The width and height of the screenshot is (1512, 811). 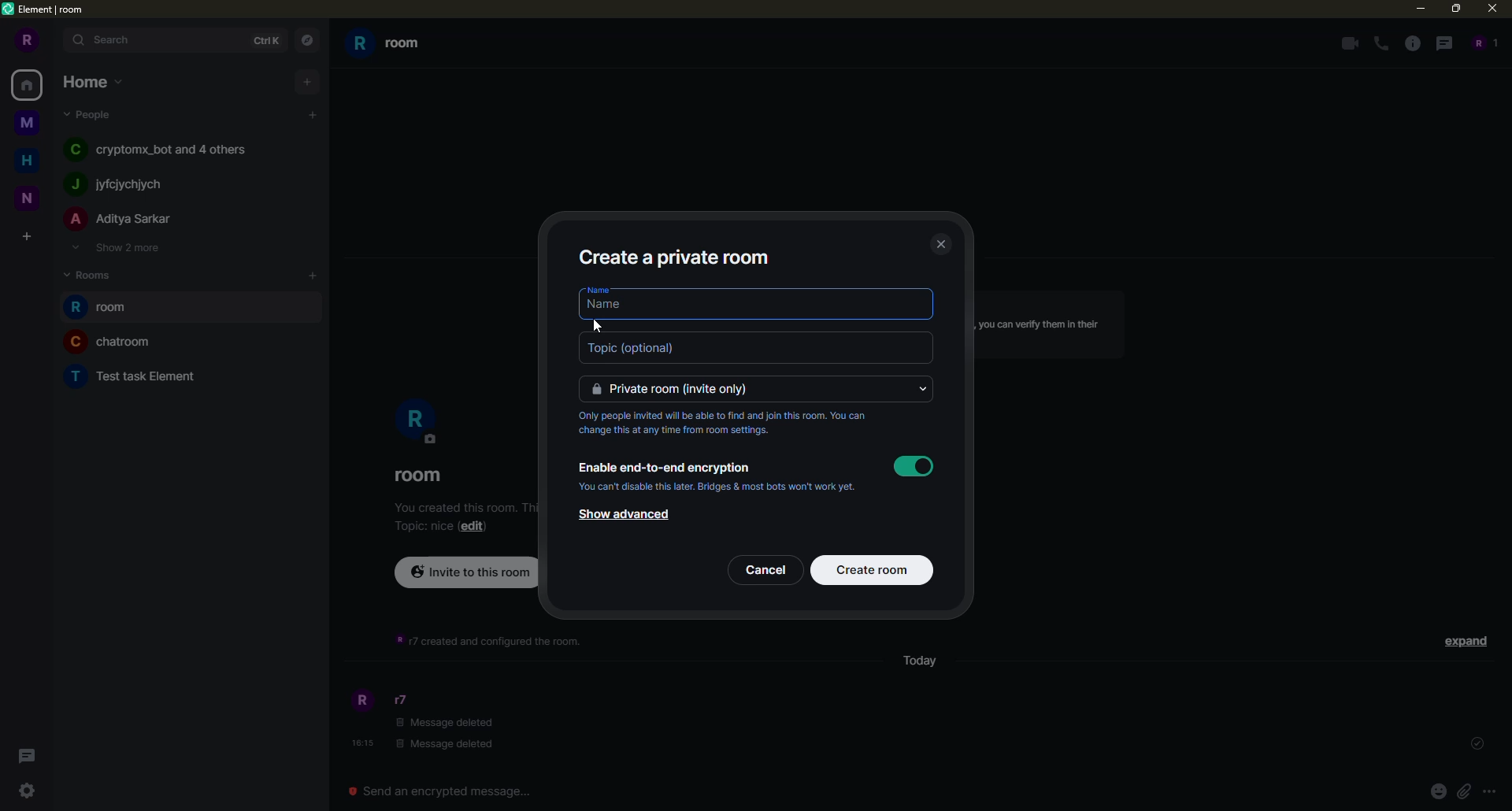 What do you see at coordinates (1347, 42) in the screenshot?
I see `video call` at bounding box center [1347, 42].